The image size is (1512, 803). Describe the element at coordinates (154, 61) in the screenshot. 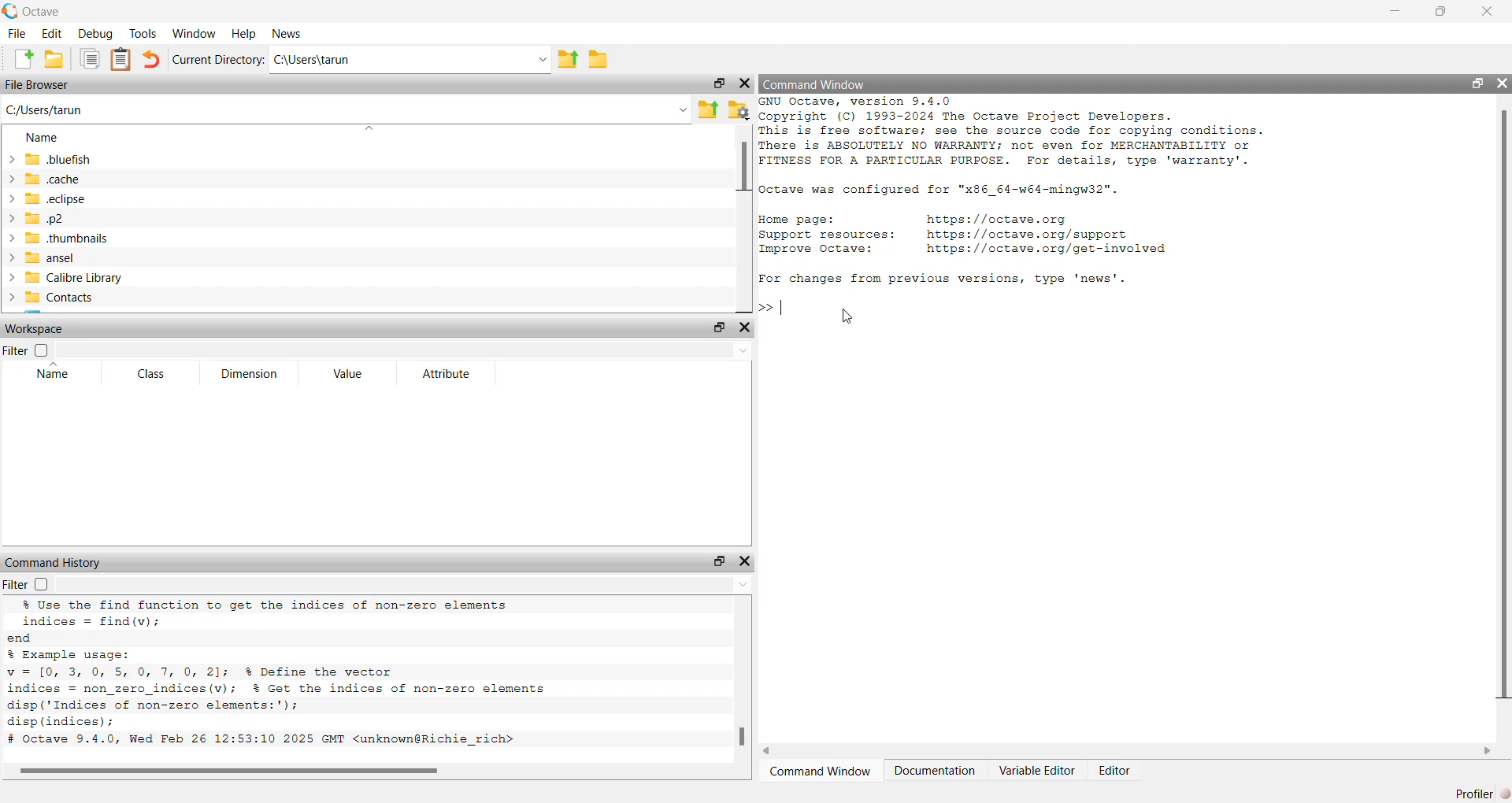

I see `undo` at that location.